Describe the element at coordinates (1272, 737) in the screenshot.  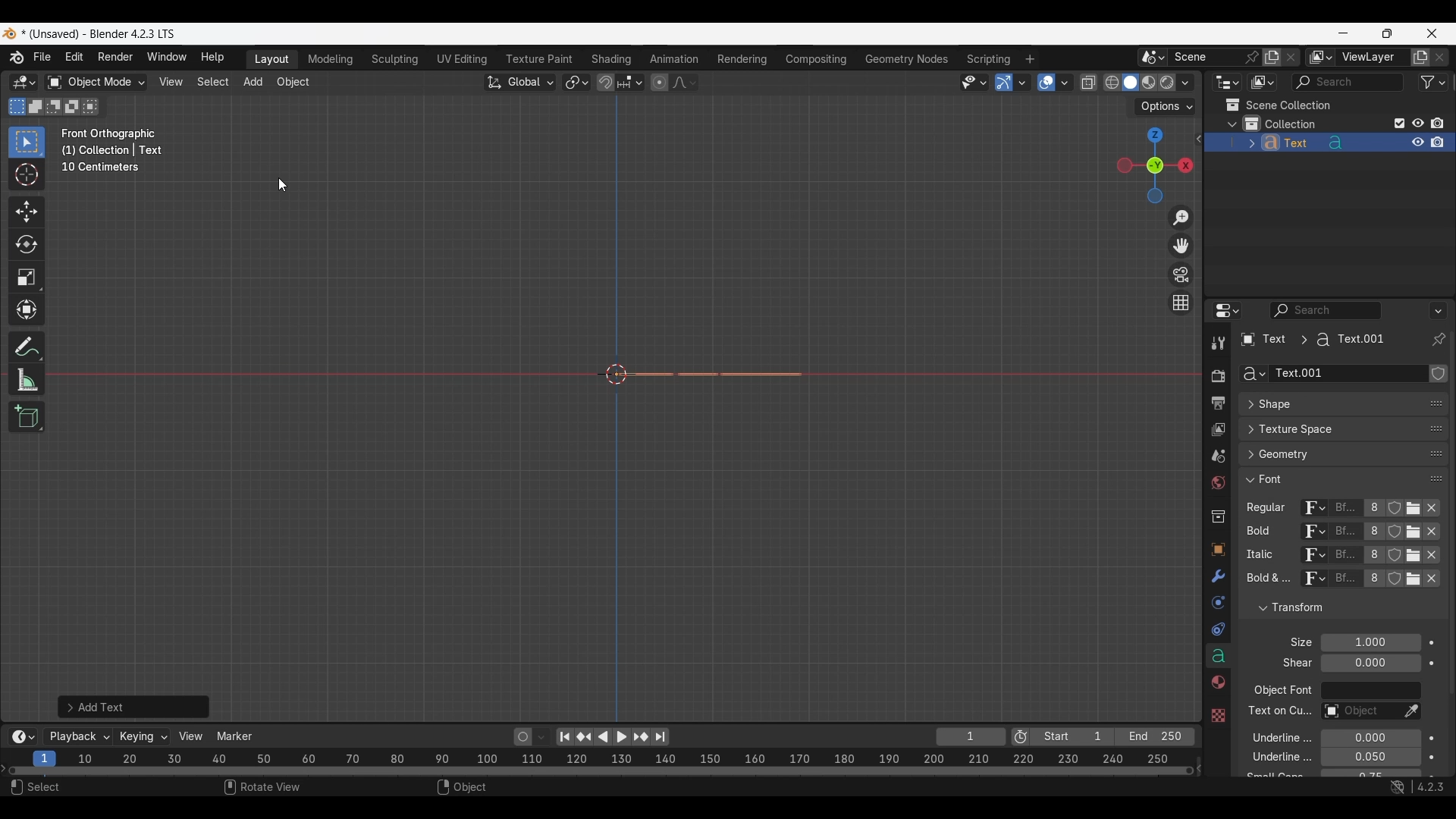
I see `underline` at that location.